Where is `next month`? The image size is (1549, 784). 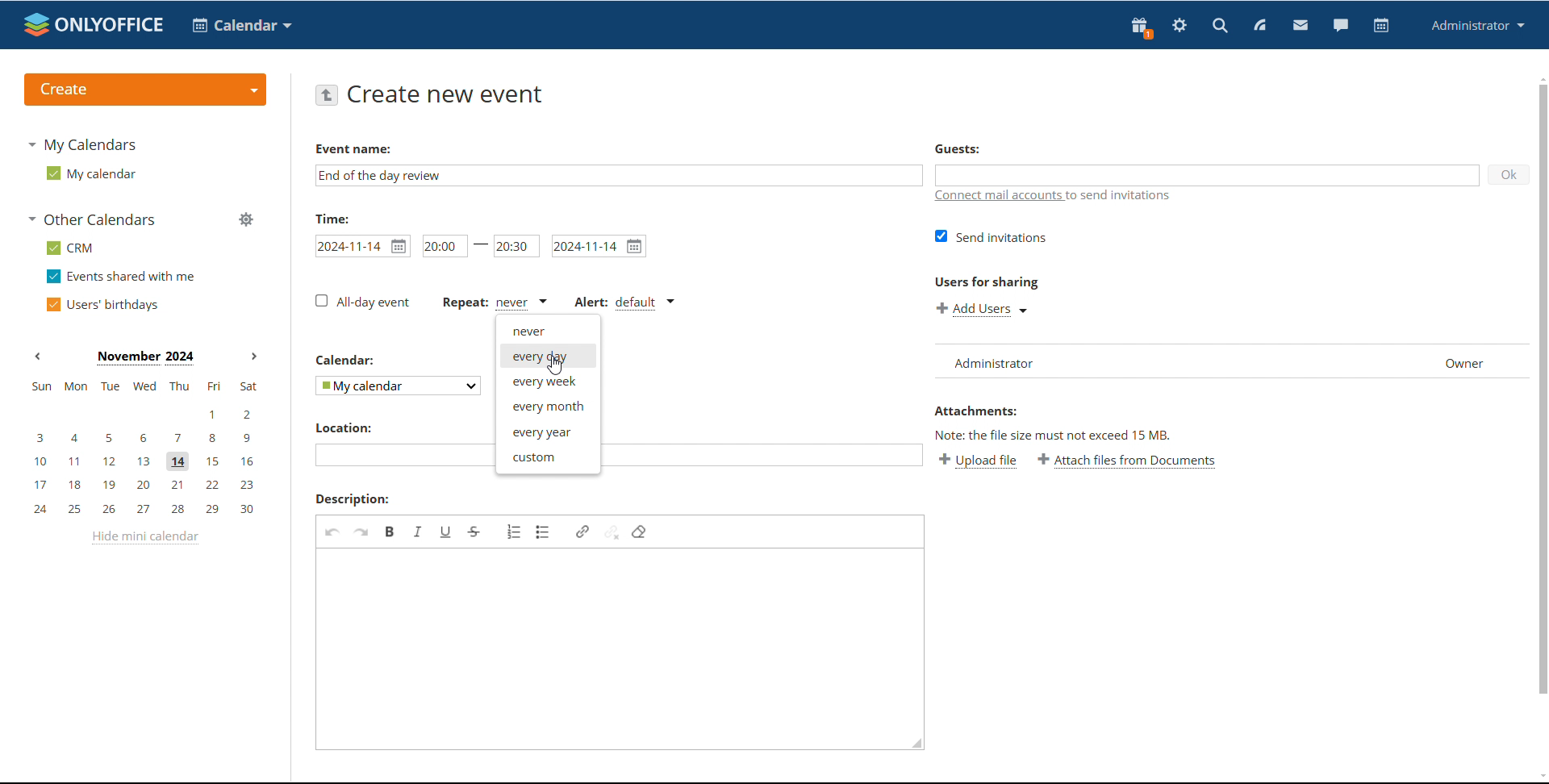 next month is located at coordinates (254, 357).